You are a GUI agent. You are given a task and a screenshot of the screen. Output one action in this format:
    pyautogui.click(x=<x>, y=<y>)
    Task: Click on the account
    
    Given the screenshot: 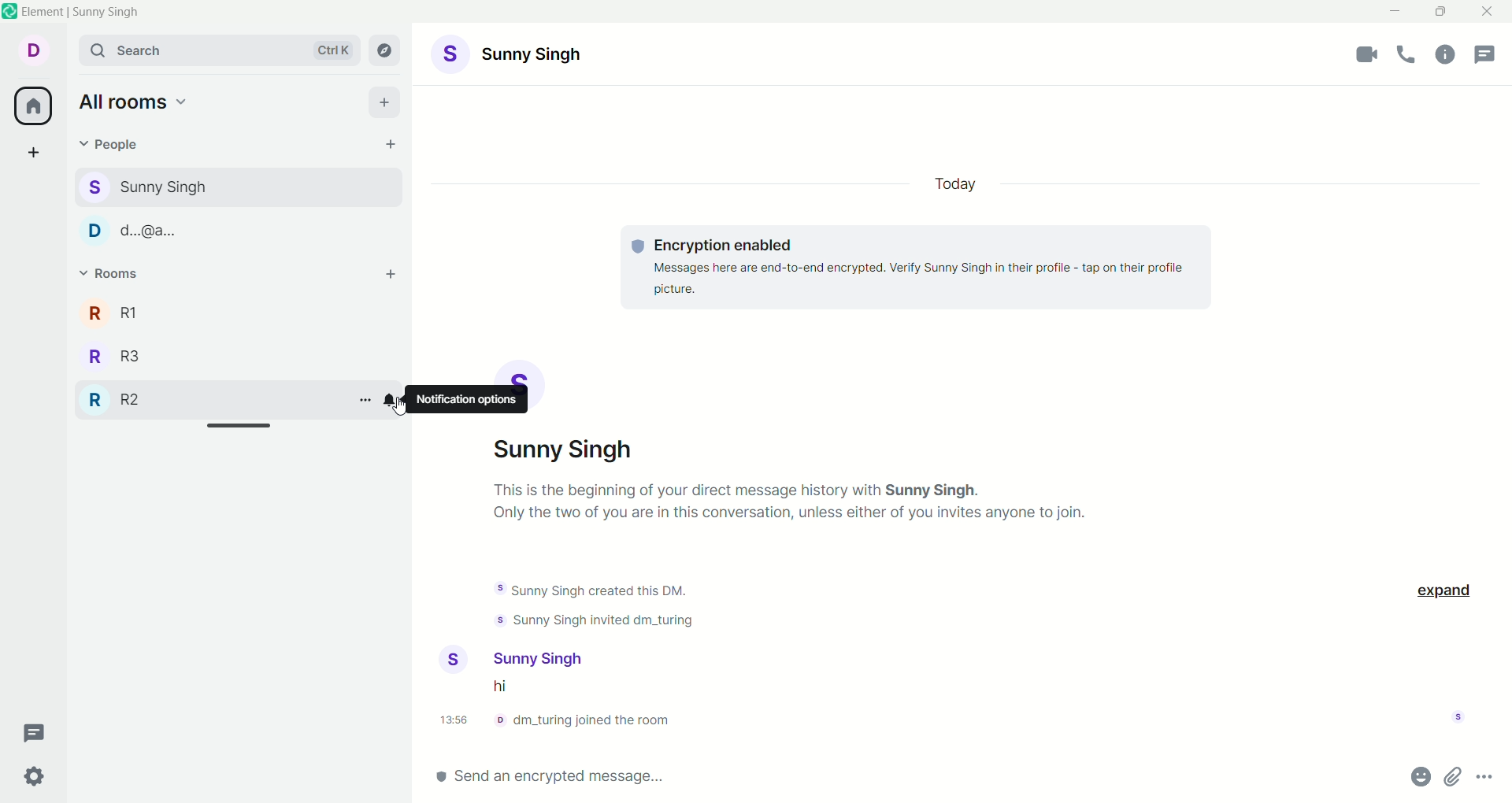 What is the action you would take?
    pyautogui.click(x=37, y=50)
    